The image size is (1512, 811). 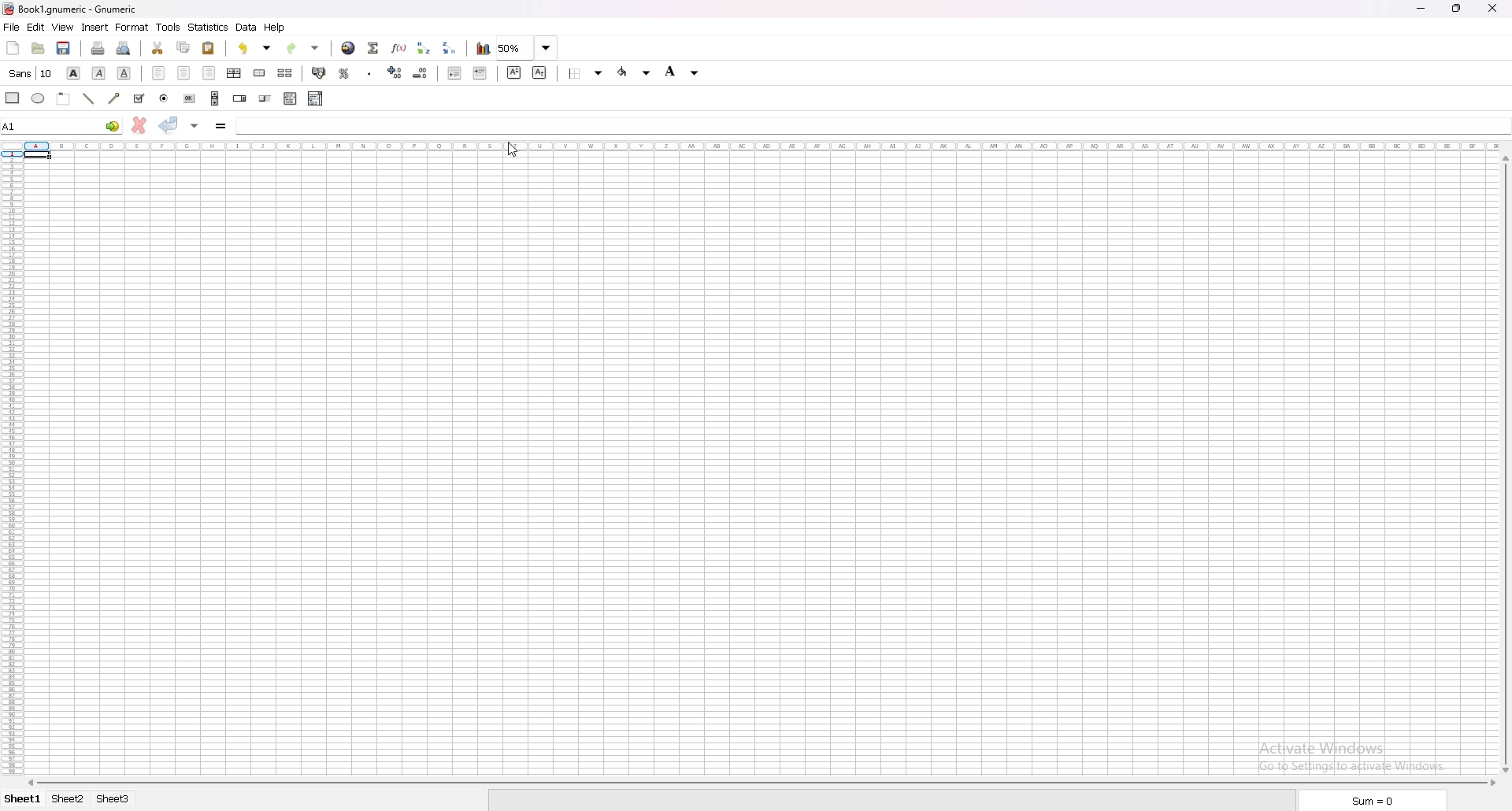 I want to click on decrease indent, so click(x=455, y=74).